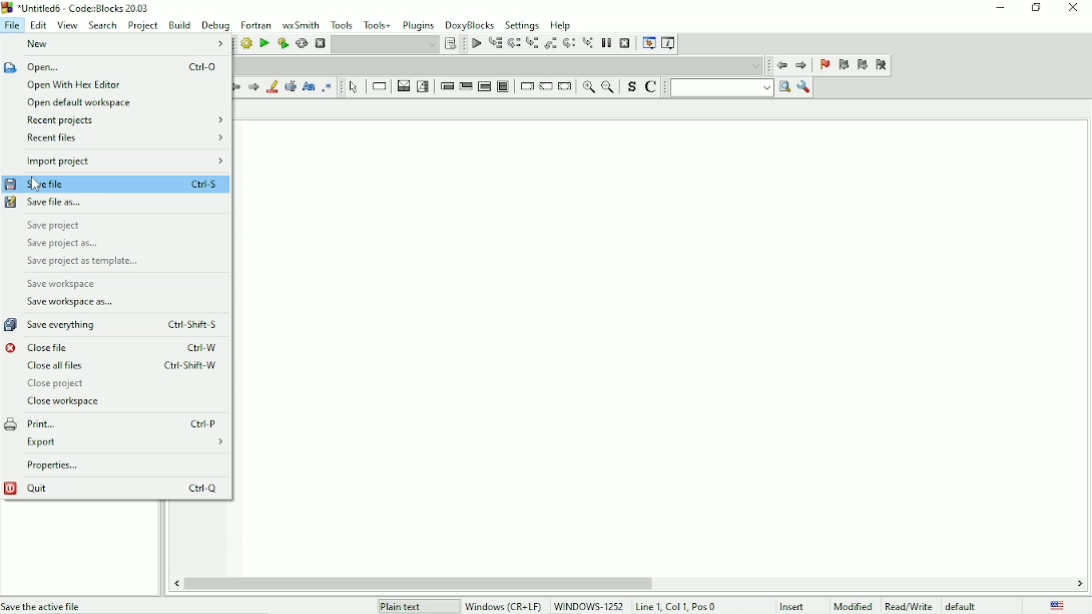 The image size is (1092, 614). What do you see at coordinates (570, 44) in the screenshot?
I see `Next instruction` at bounding box center [570, 44].